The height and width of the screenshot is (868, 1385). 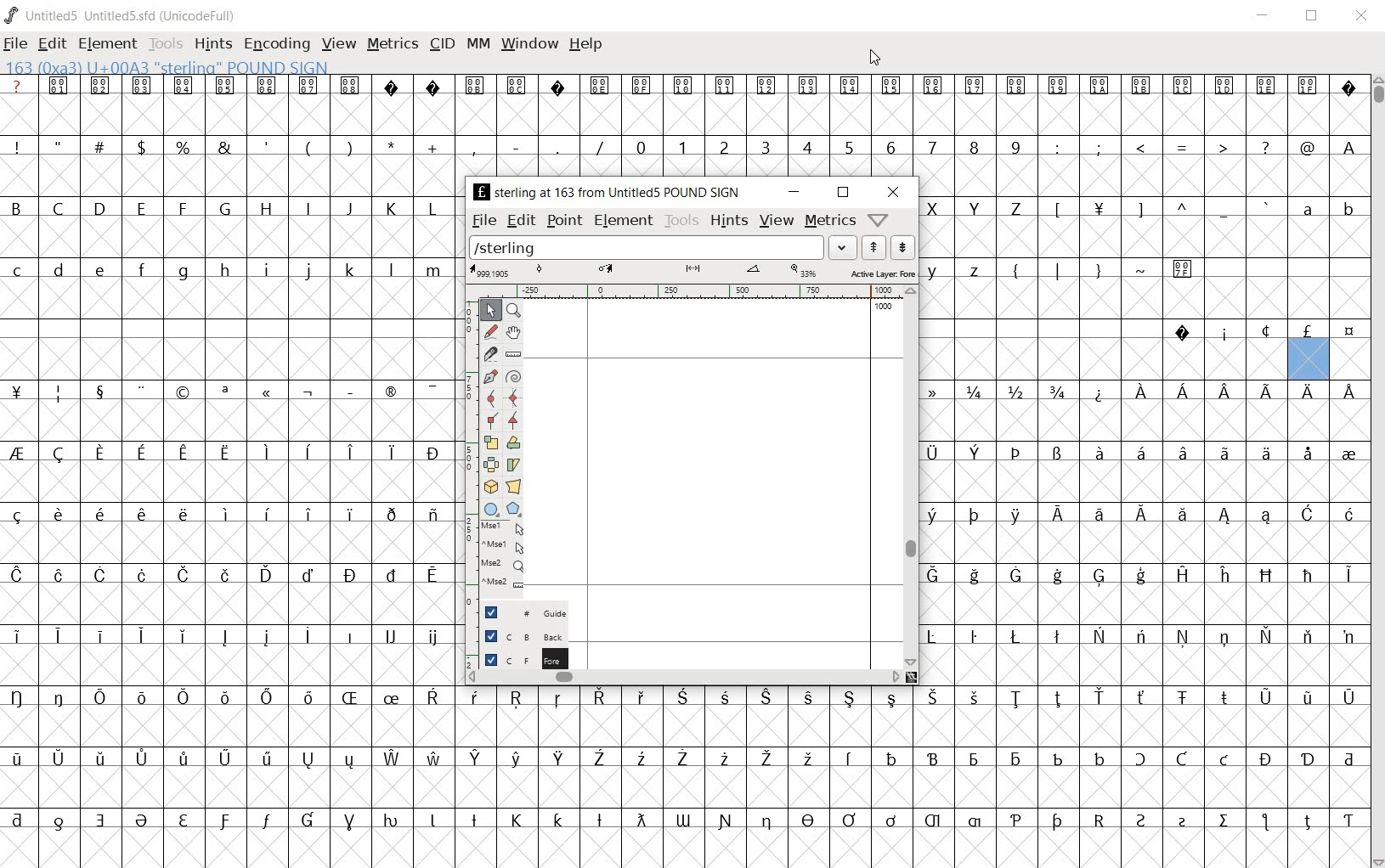 What do you see at coordinates (506, 547) in the screenshot?
I see `Mouse left button + Ctrl` at bounding box center [506, 547].